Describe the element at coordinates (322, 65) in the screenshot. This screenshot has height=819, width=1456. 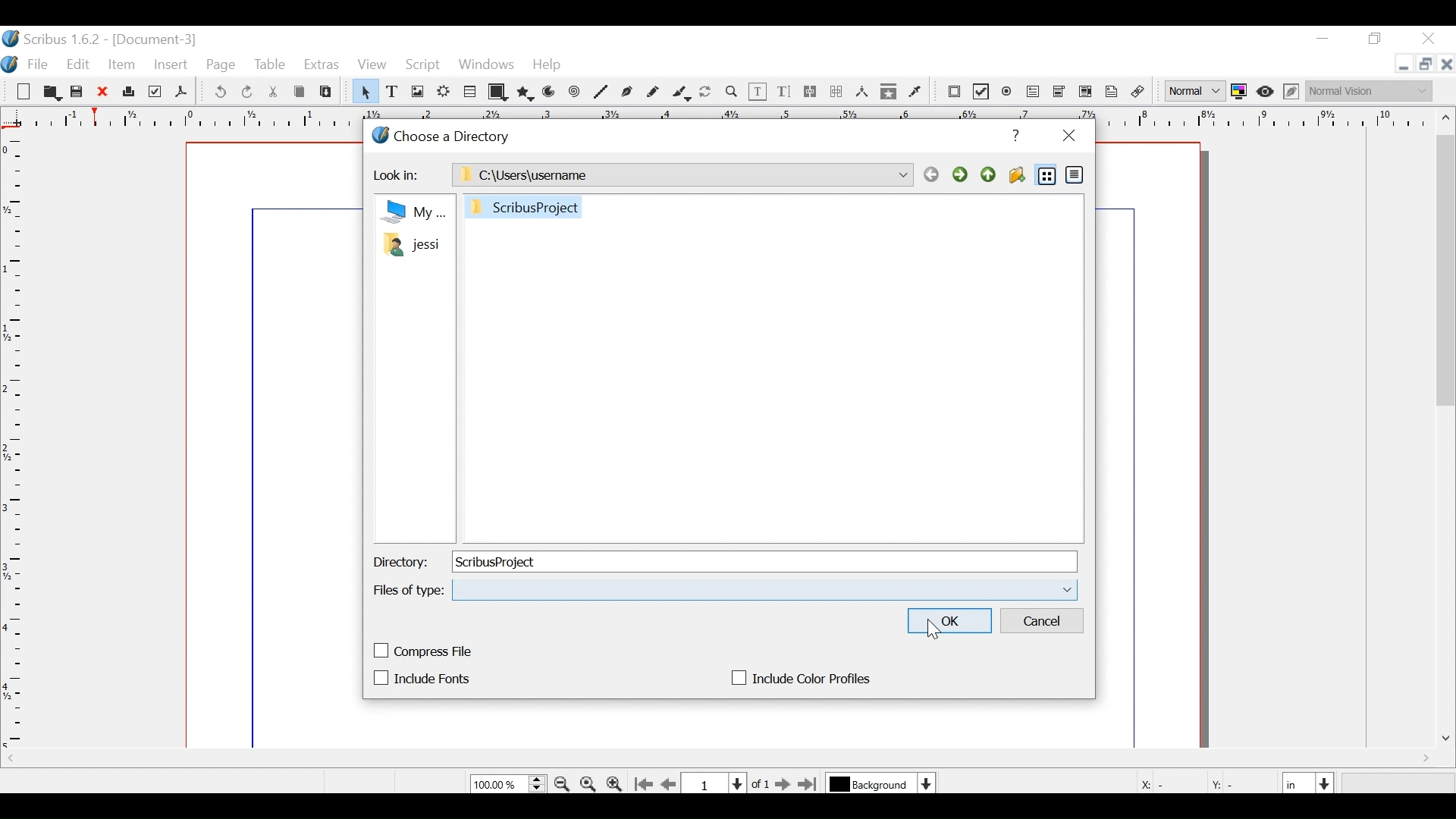
I see `Extras` at that location.